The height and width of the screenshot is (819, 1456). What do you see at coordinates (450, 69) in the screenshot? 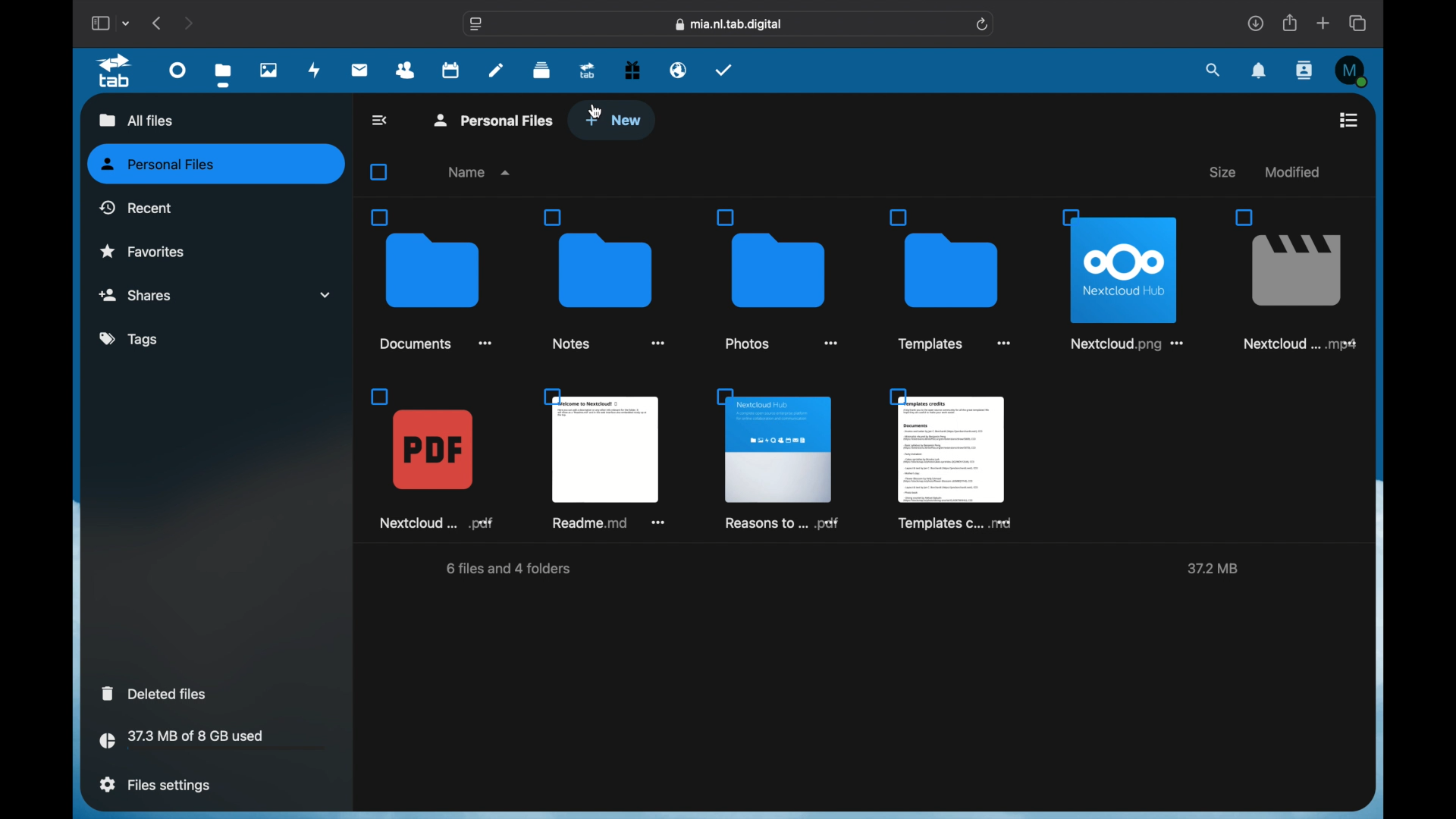
I see `calendar` at bounding box center [450, 69].